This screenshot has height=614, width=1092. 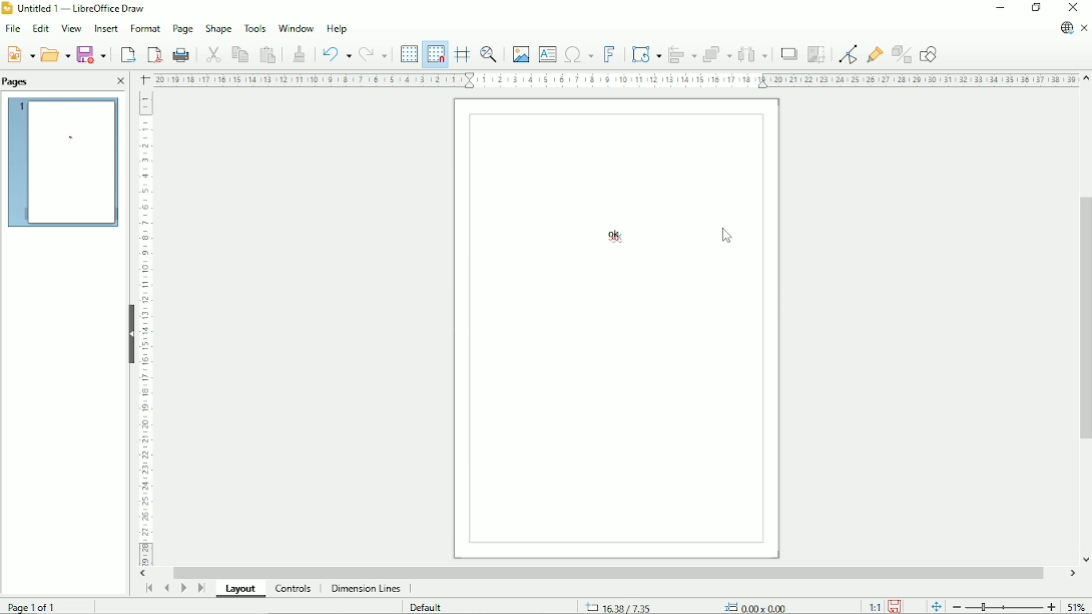 I want to click on Help, so click(x=336, y=28).